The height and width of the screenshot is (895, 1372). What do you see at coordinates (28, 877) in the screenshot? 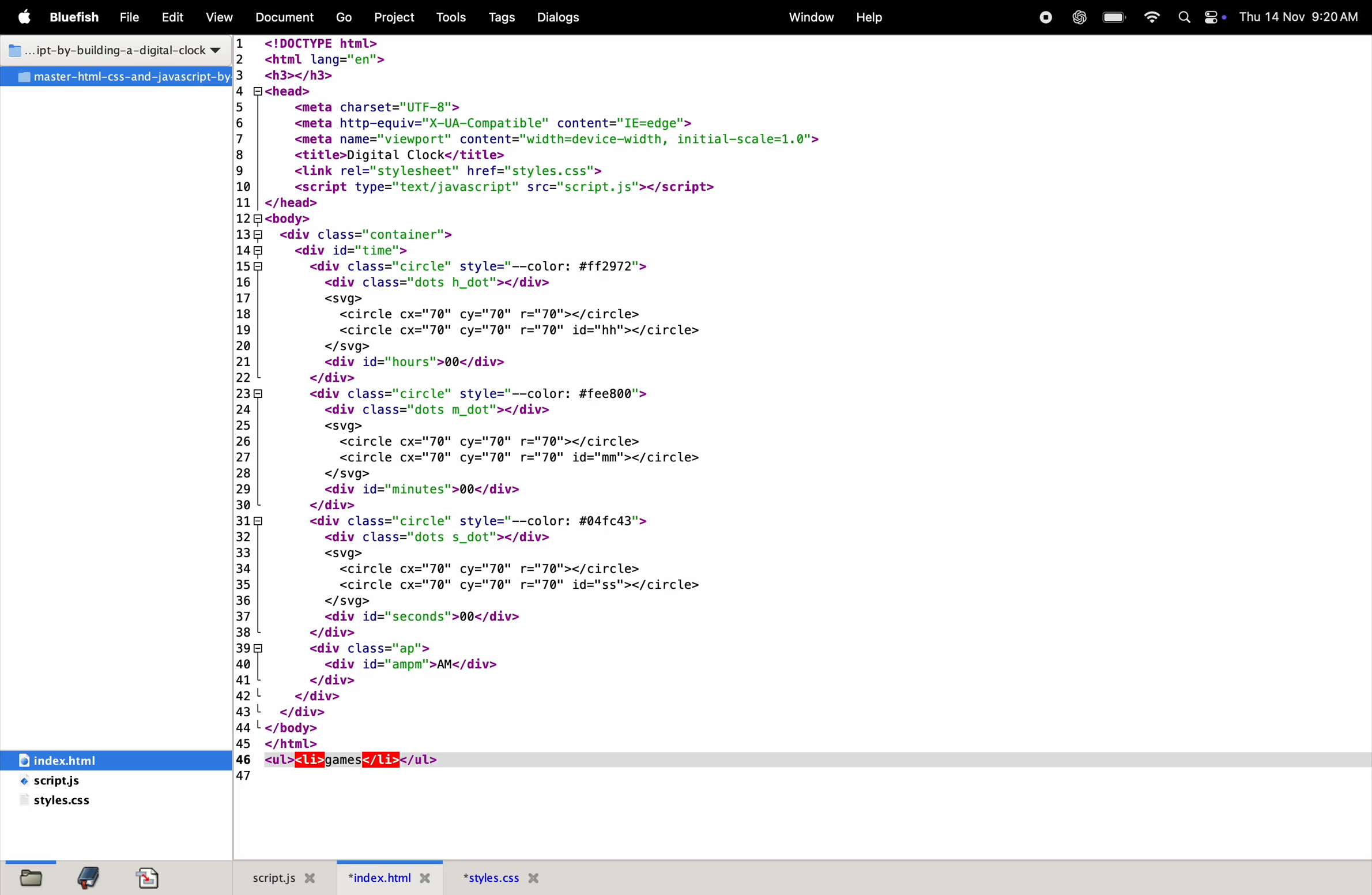
I see `file` at bounding box center [28, 877].